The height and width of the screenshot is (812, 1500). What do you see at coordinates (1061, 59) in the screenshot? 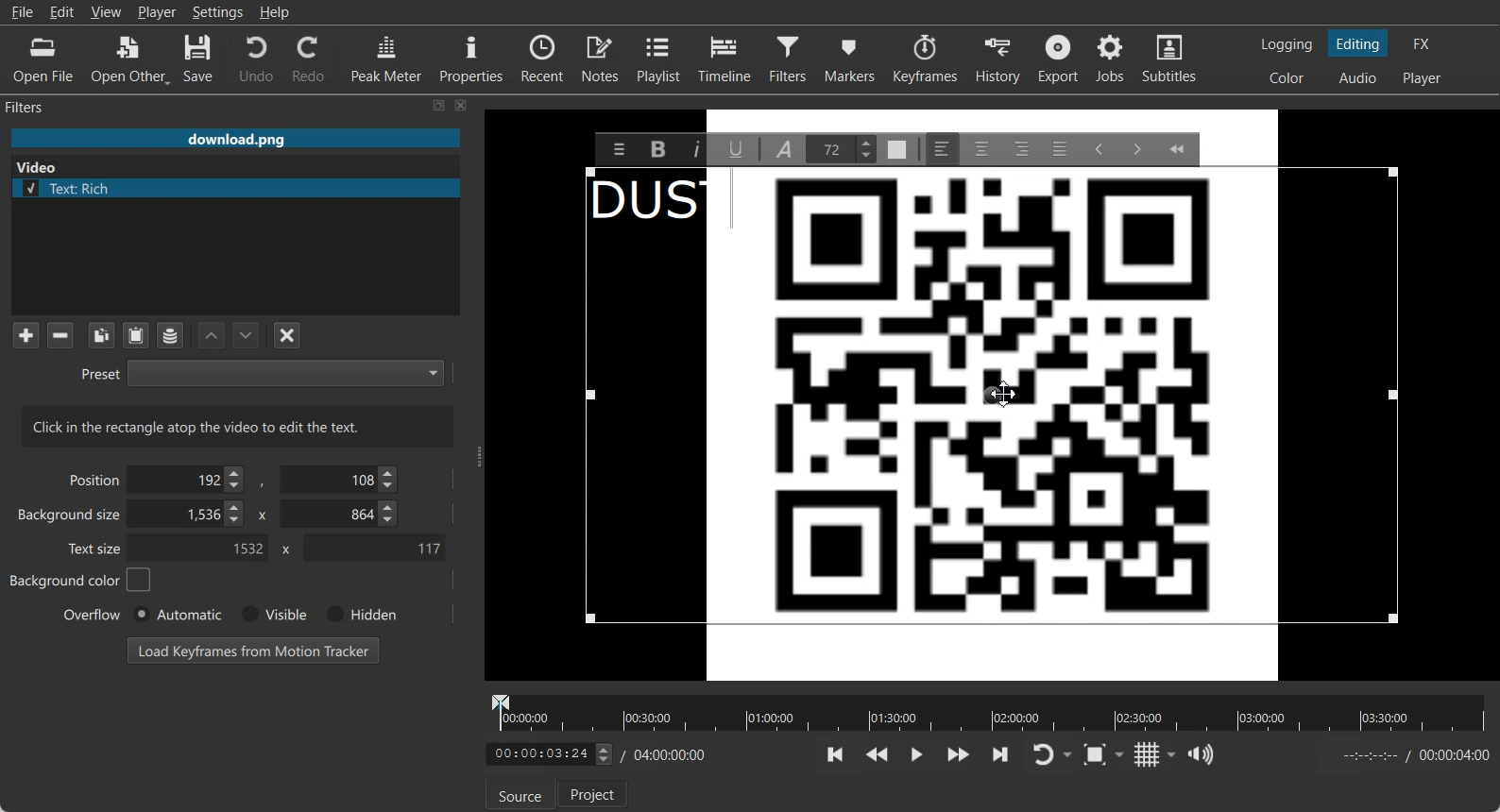
I see `Export` at bounding box center [1061, 59].